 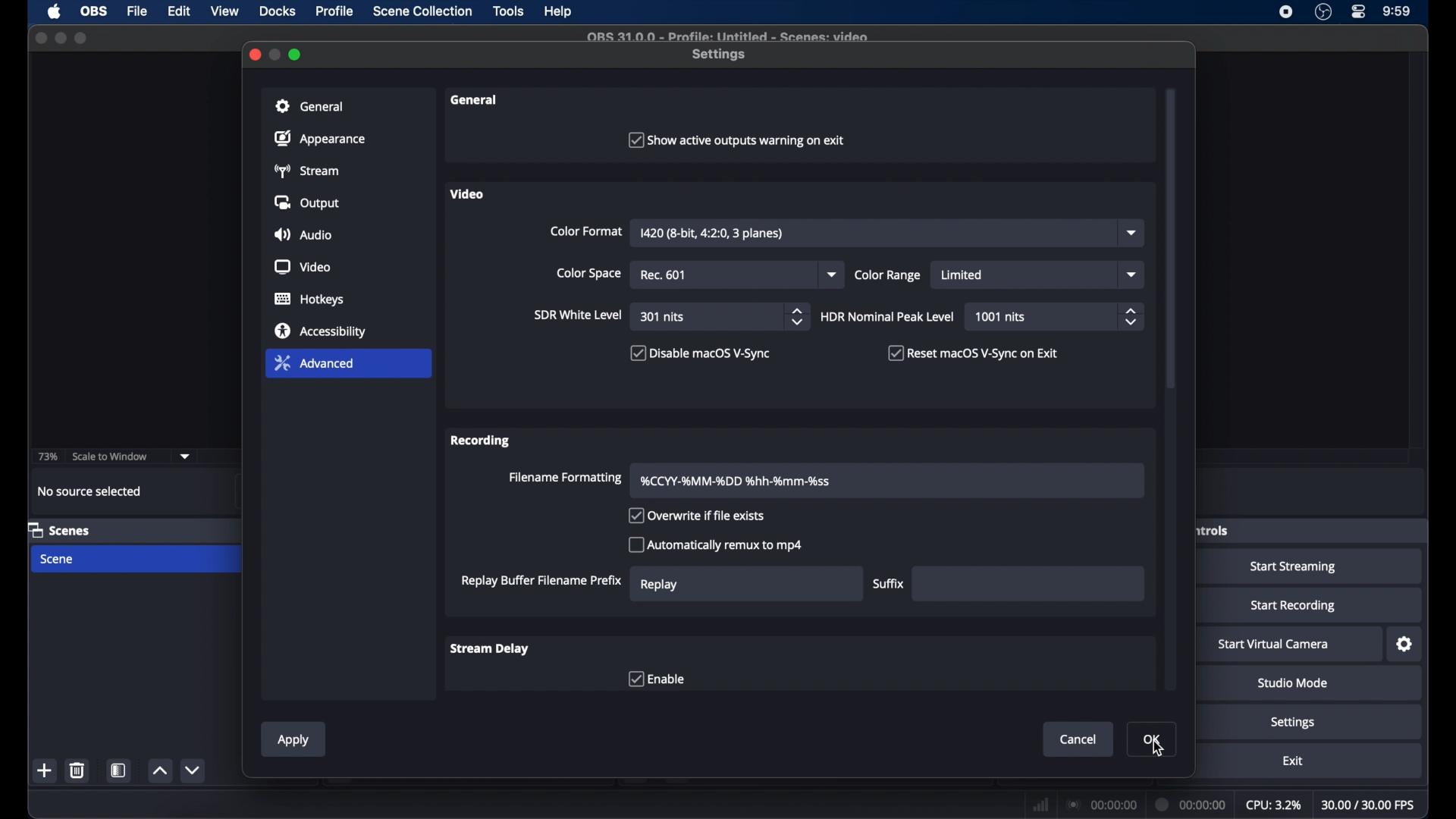 I want to click on apple icon, so click(x=54, y=12).